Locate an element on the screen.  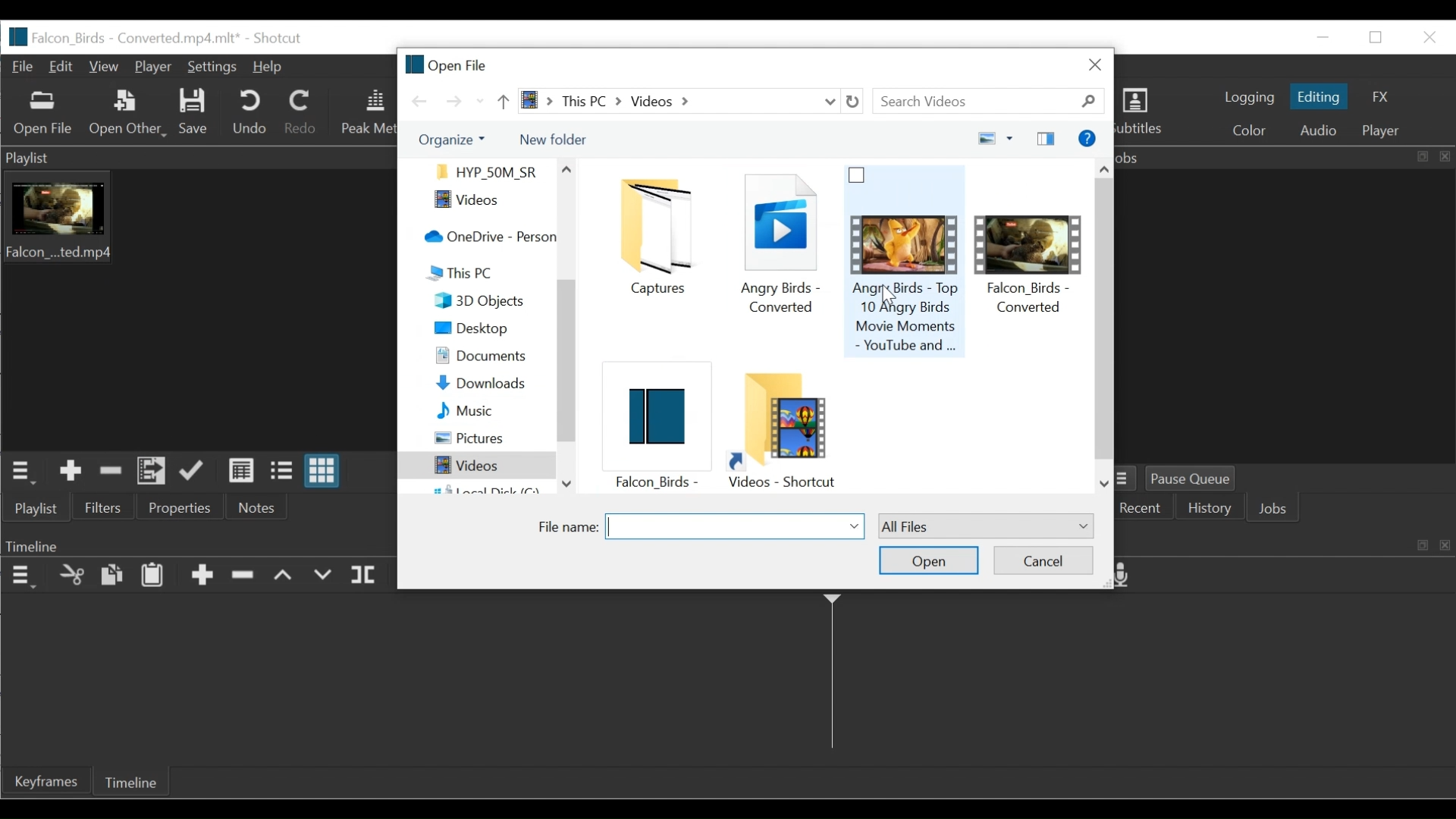
Timeline cursor is located at coordinates (831, 676).